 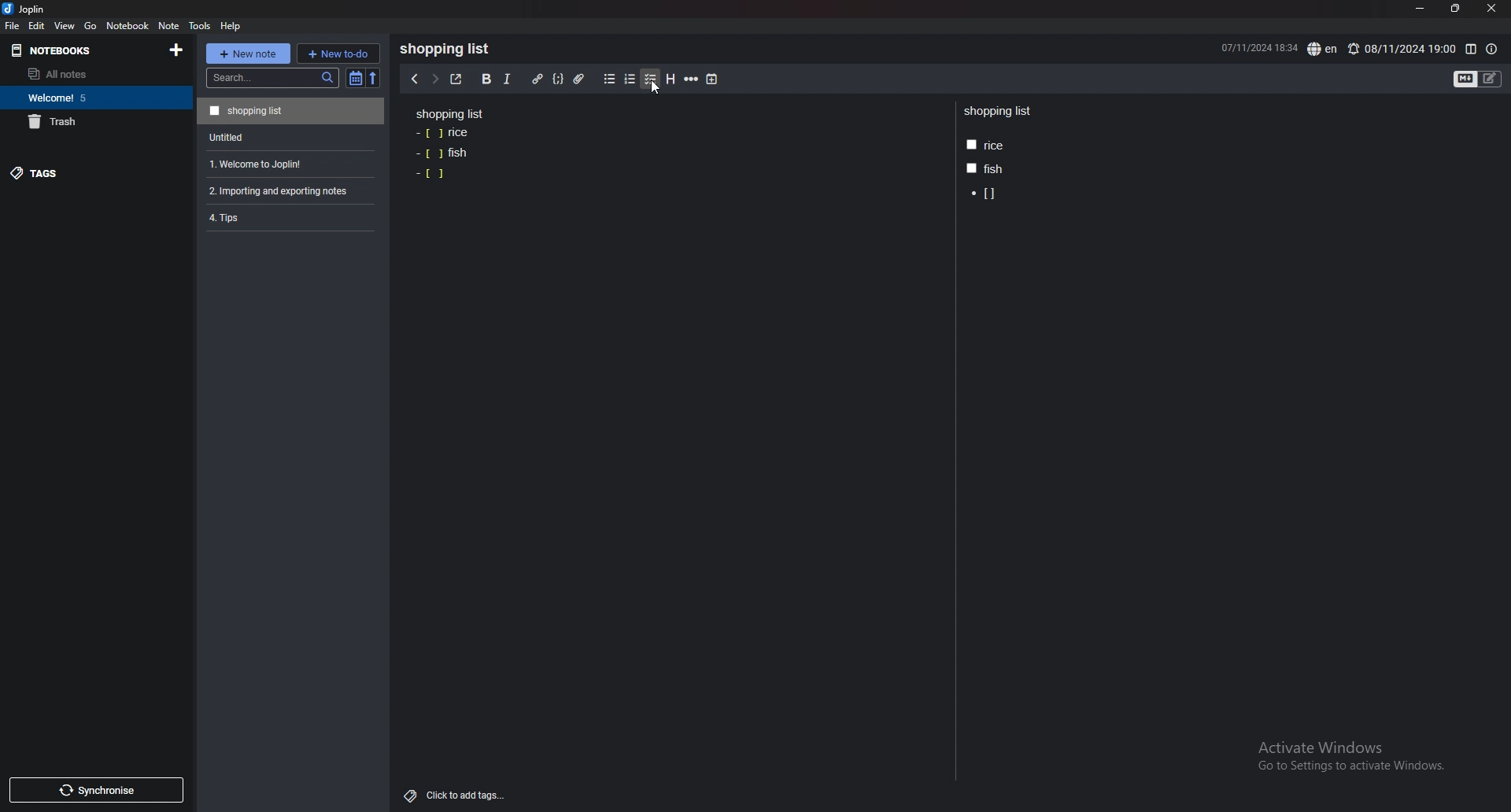 I want to click on toggle sort order, so click(x=356, y=78).